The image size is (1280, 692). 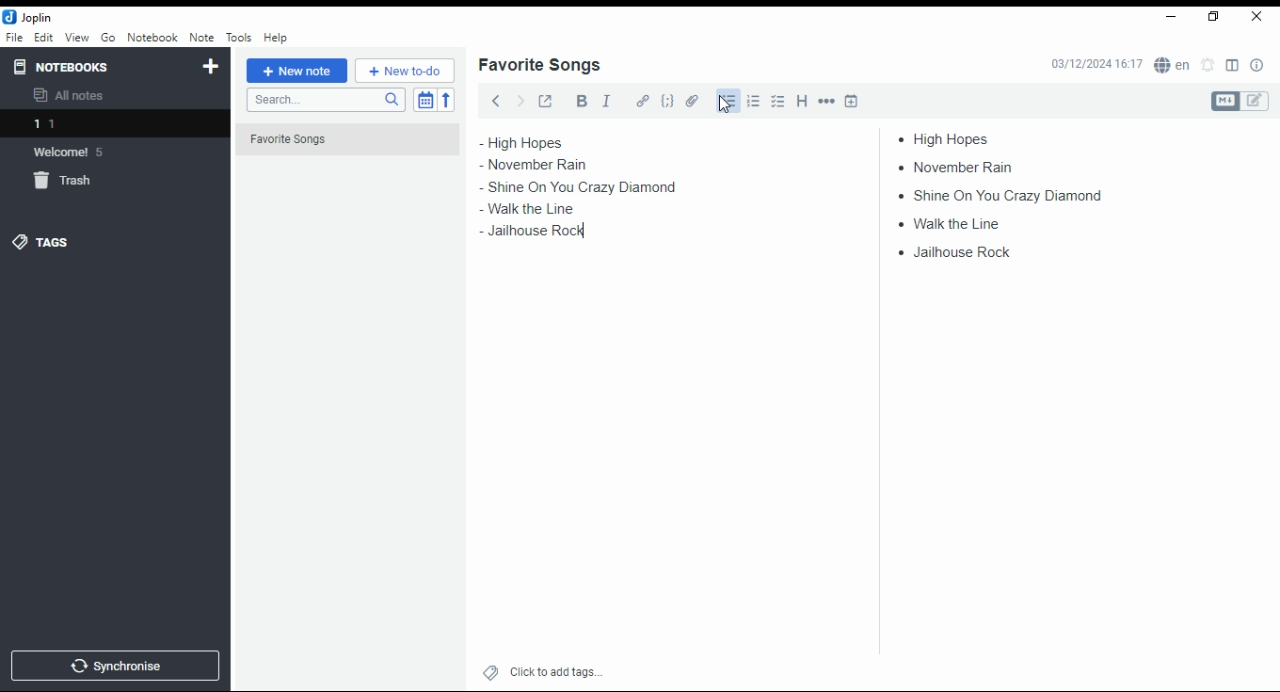 What do you see at coordinates (1258, 17) in the screenshot?
I see `close window` at bounding box center [1258, 17].